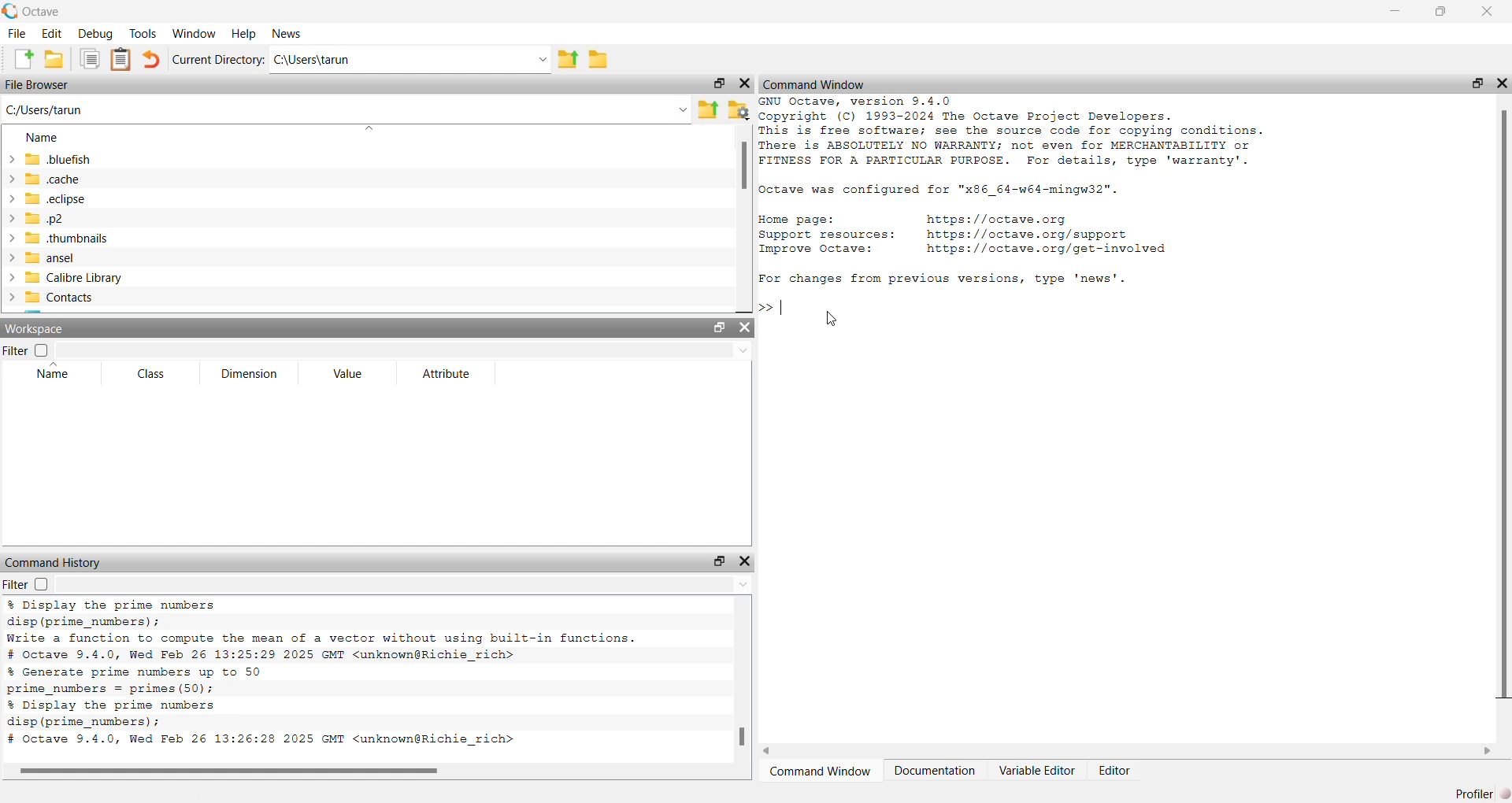  I want to click on Command Window, so click(815, 85).